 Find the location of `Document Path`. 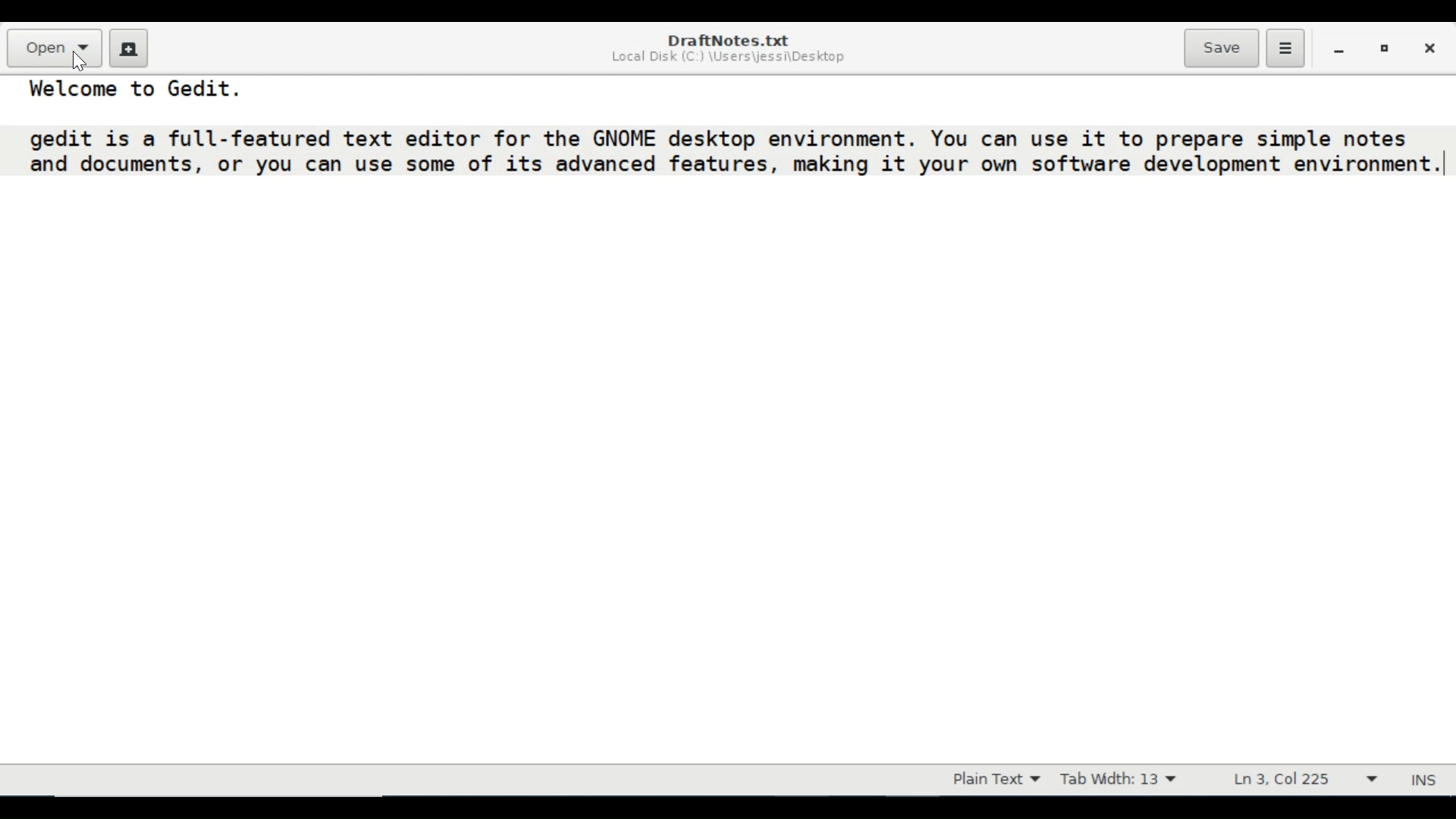

Document Path is located at coordinates (730, 60).